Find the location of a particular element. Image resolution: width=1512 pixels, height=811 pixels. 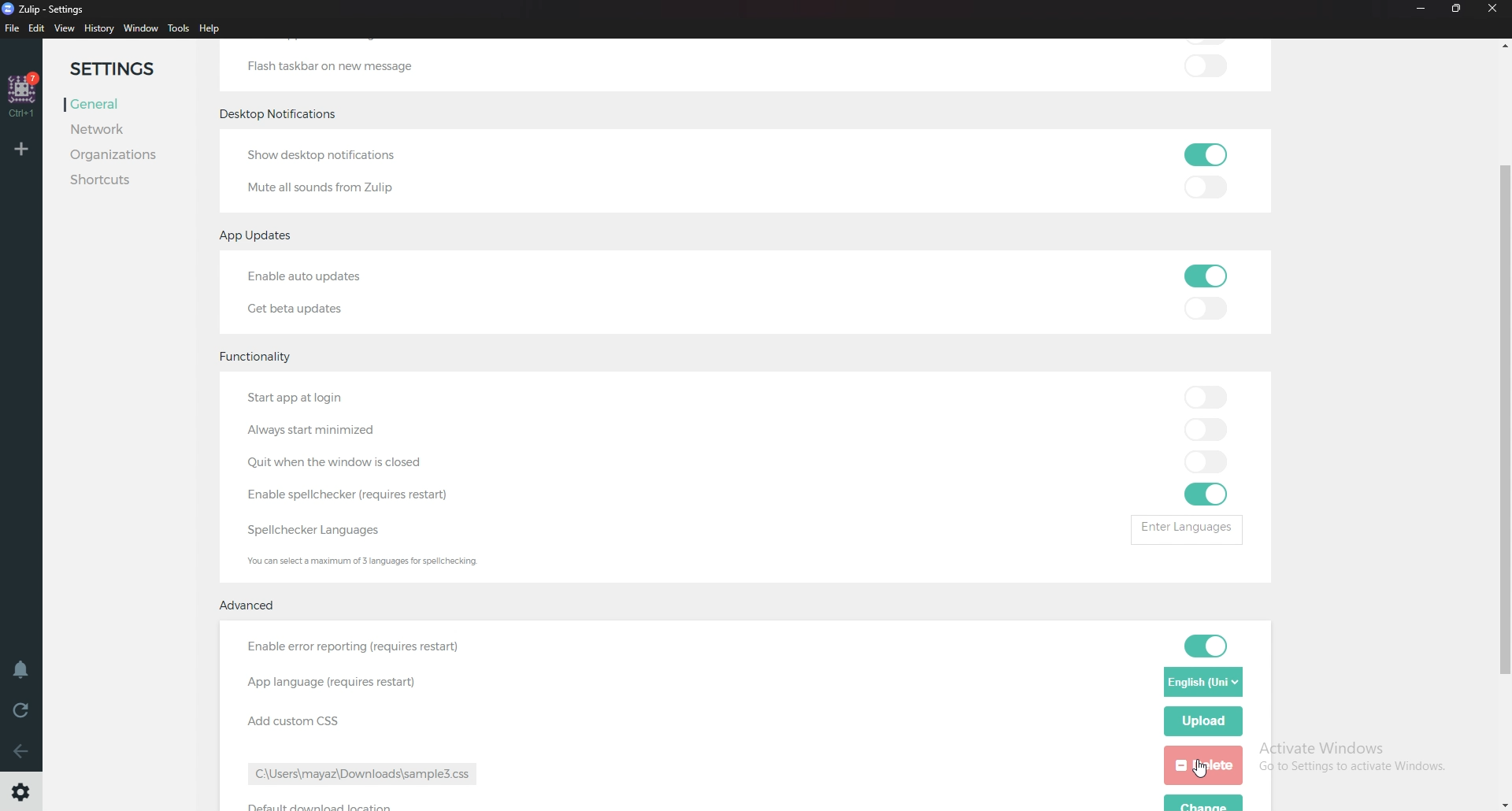

Network is located at coordinates (117, 130).